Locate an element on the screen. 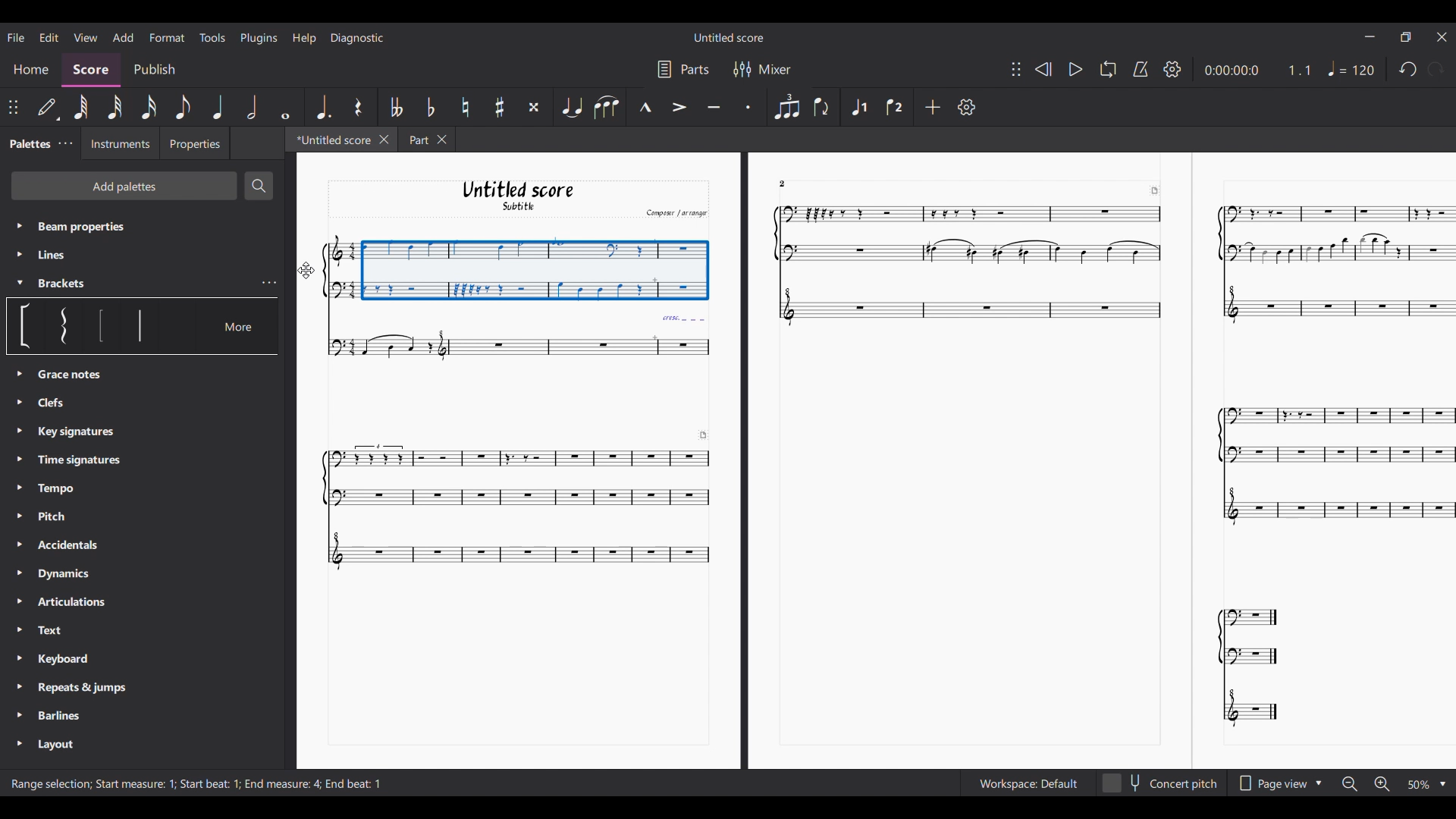 The width and height of the screenshot is (1456, 819).  is located at coordinates (1338, 456).